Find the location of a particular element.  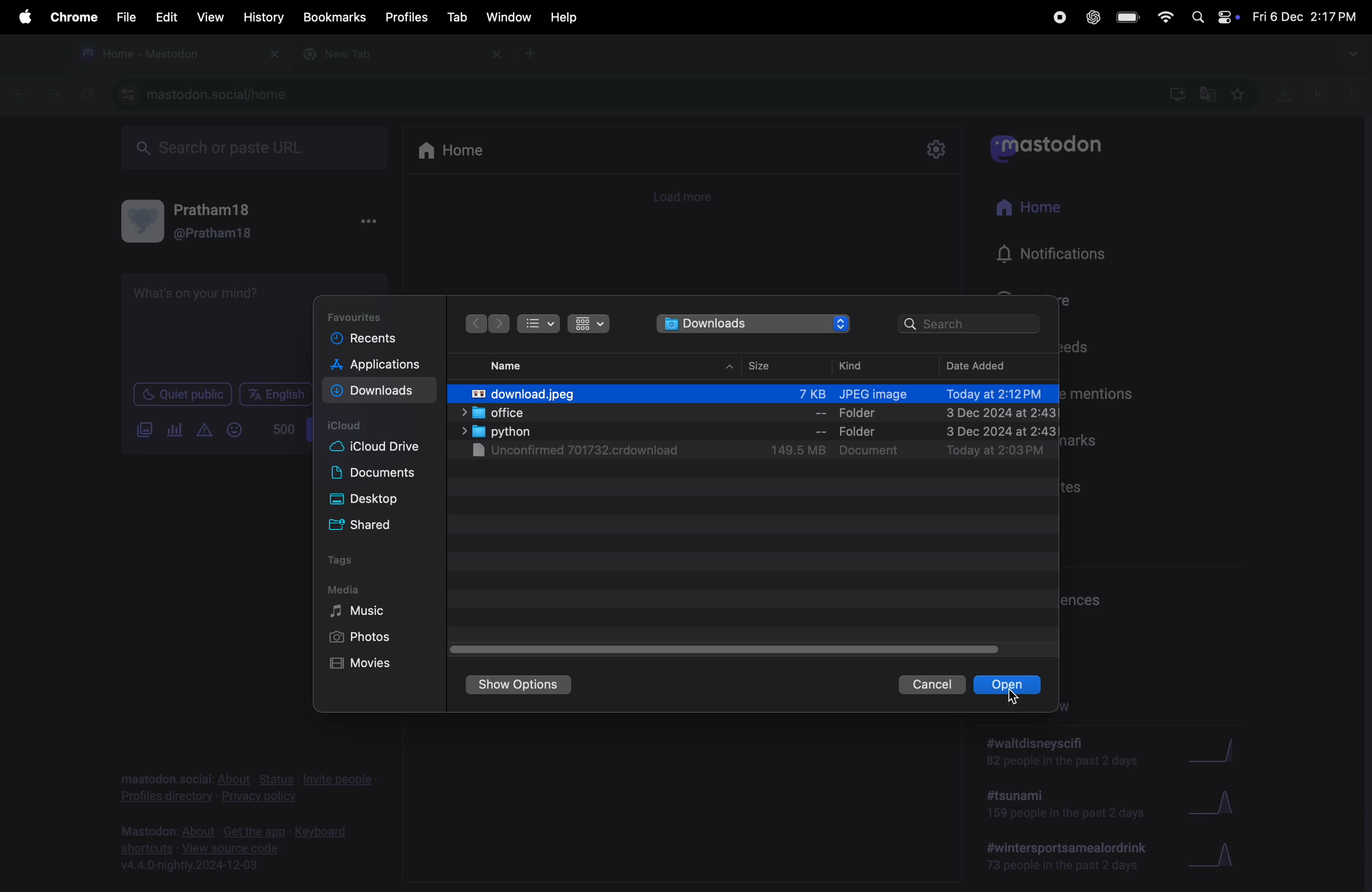

transformation image is located at coordinates (754, 391).